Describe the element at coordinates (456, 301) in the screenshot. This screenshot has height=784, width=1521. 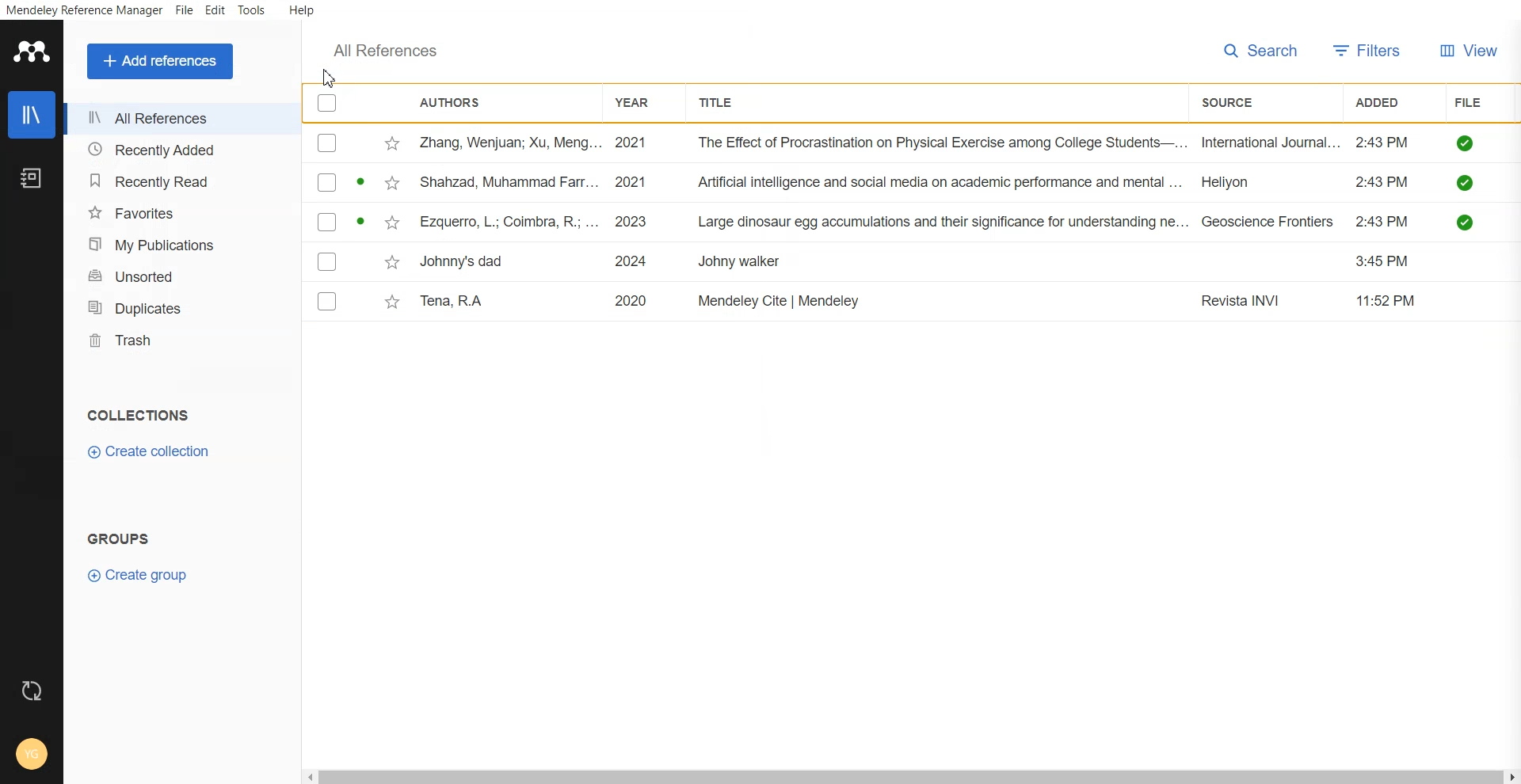
I see `Tena, RA` at that location.